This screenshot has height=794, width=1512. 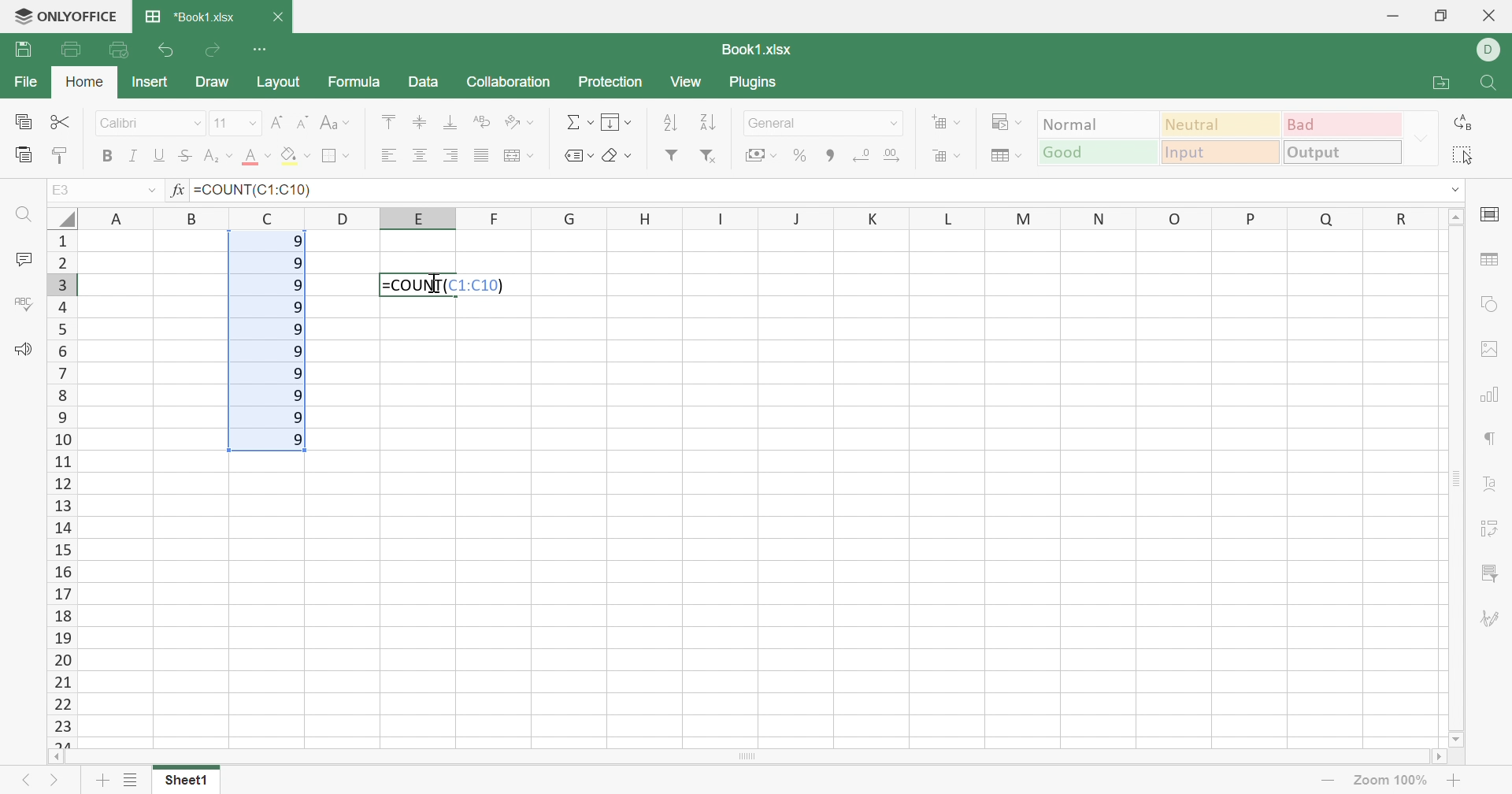 What do you see at coordinates (1392, 781) in the screenshot?
I see `Zoom 100%` at bounding box center [1392, 781].